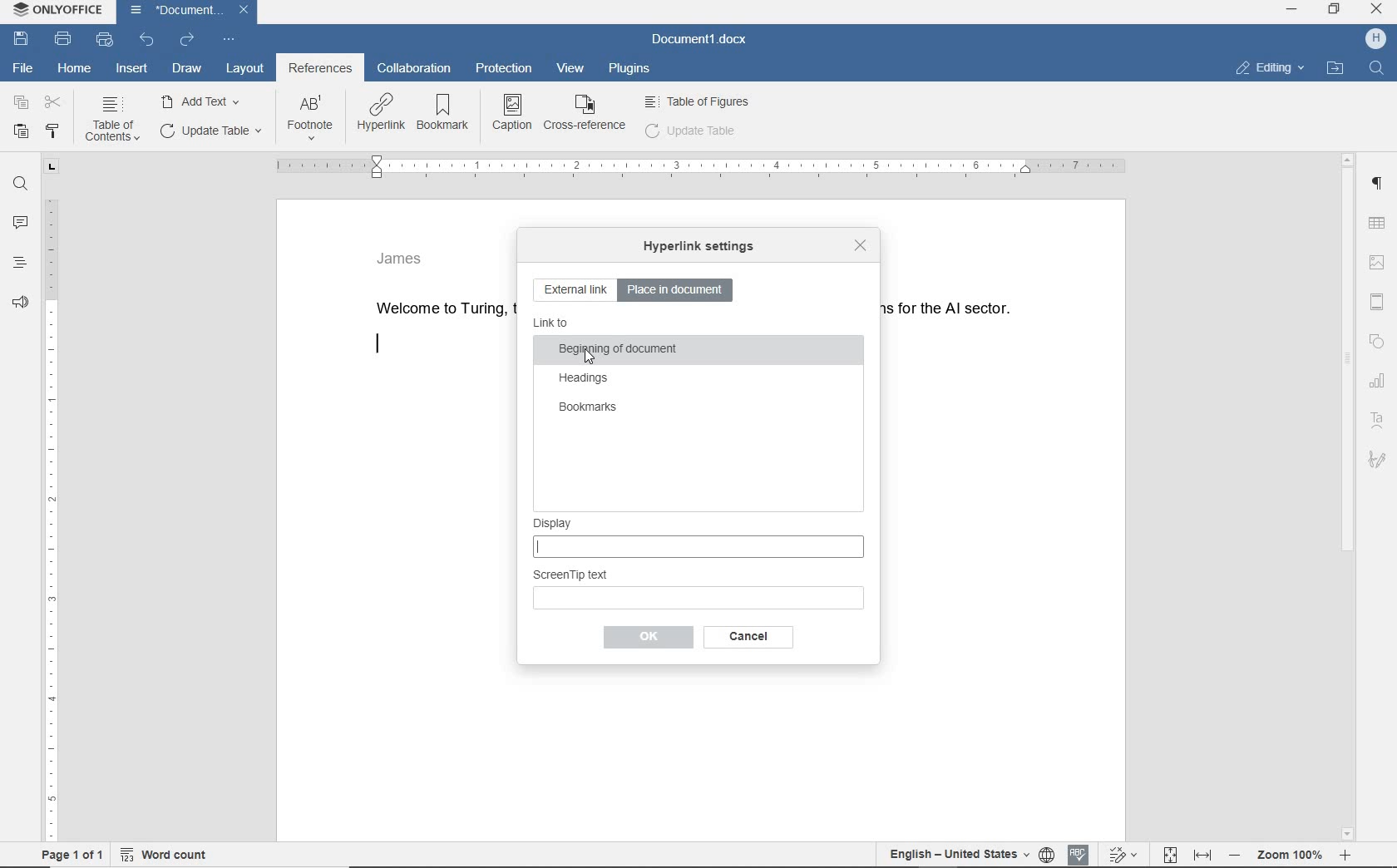 The image size is (1397, 868). I want to click on zoom in, so click(1350, 856).